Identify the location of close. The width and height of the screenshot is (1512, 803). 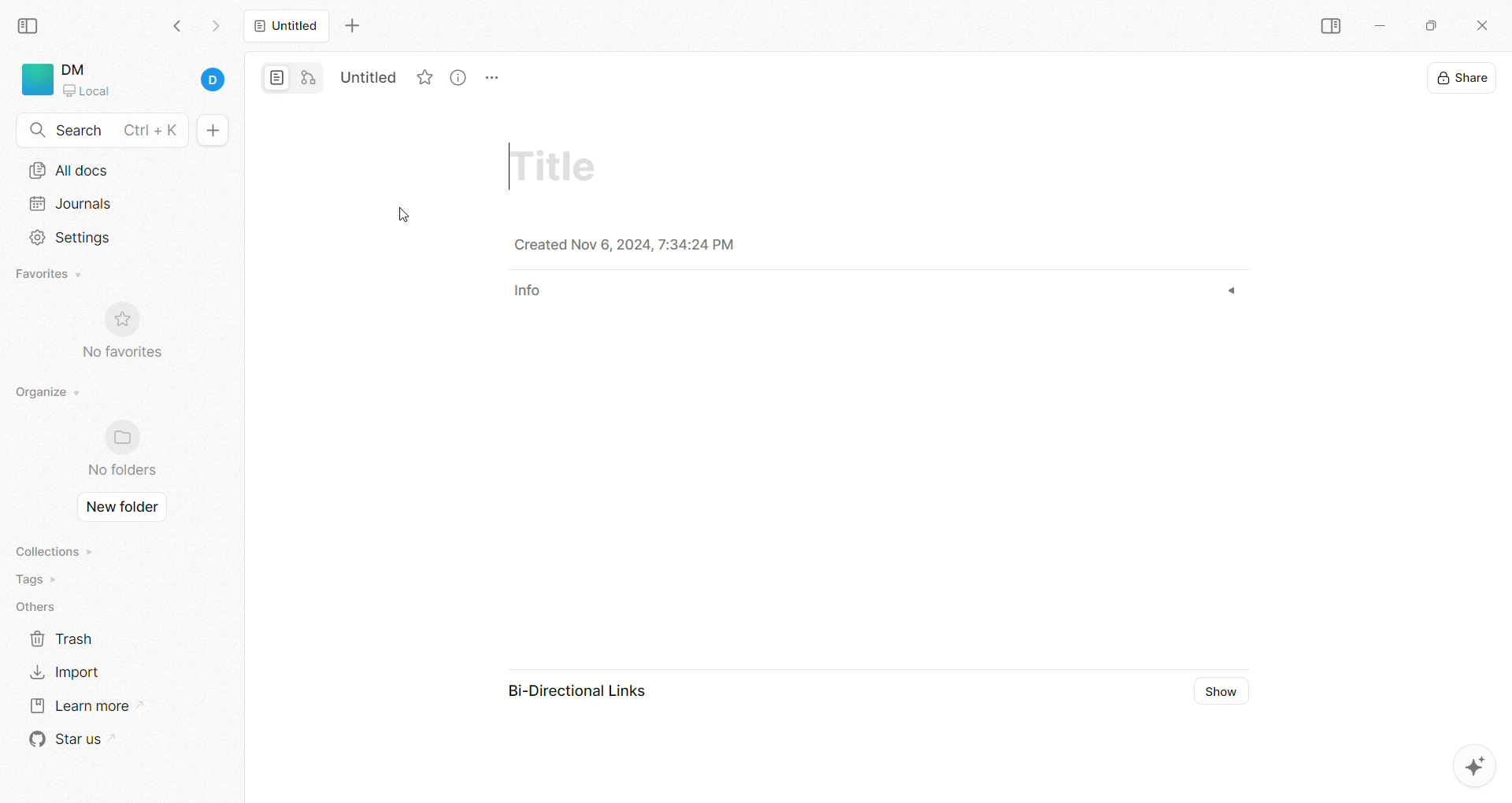
(1485, 28).